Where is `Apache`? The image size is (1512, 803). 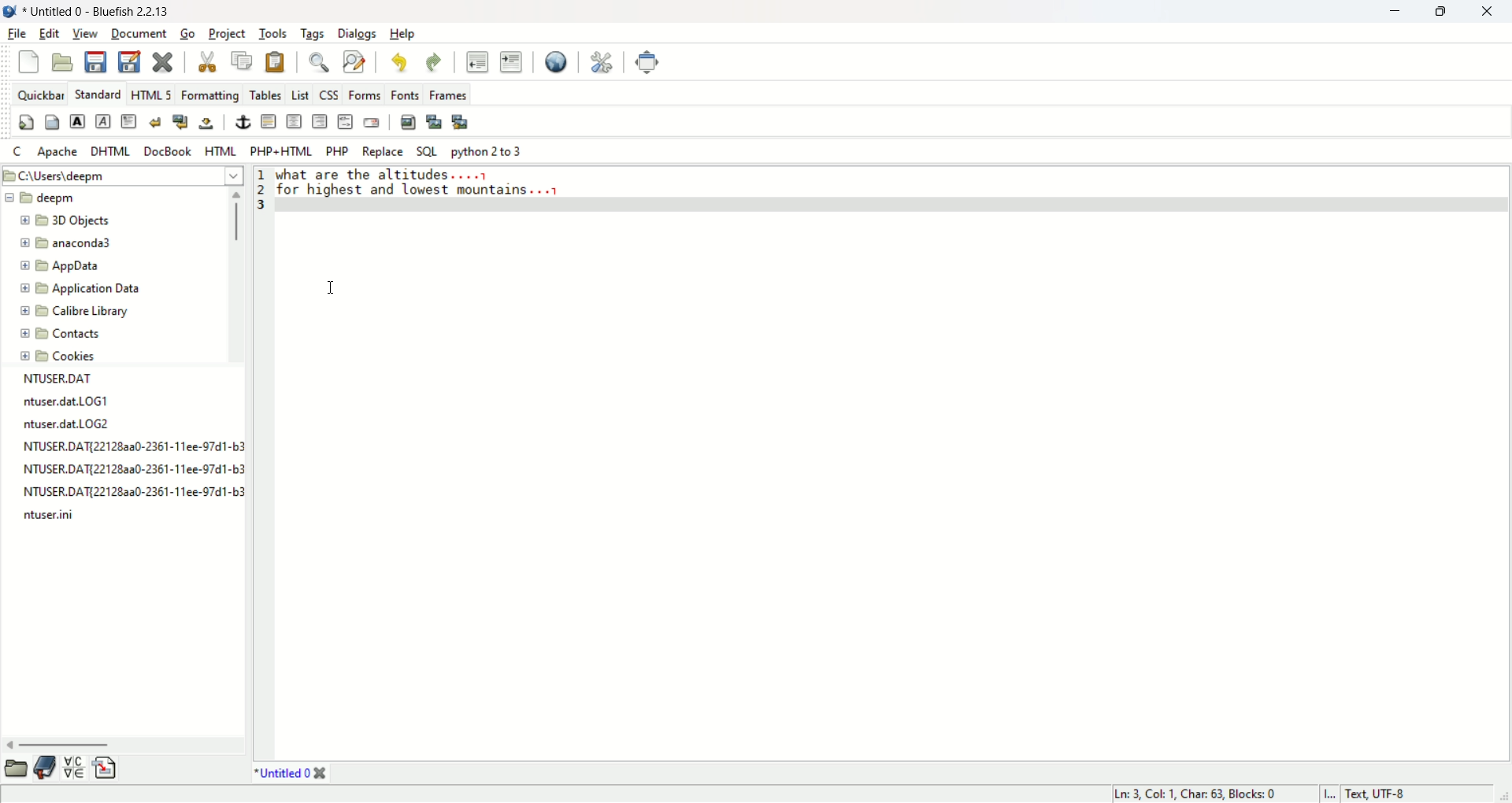 Apache is located at coordinates (58, 150).